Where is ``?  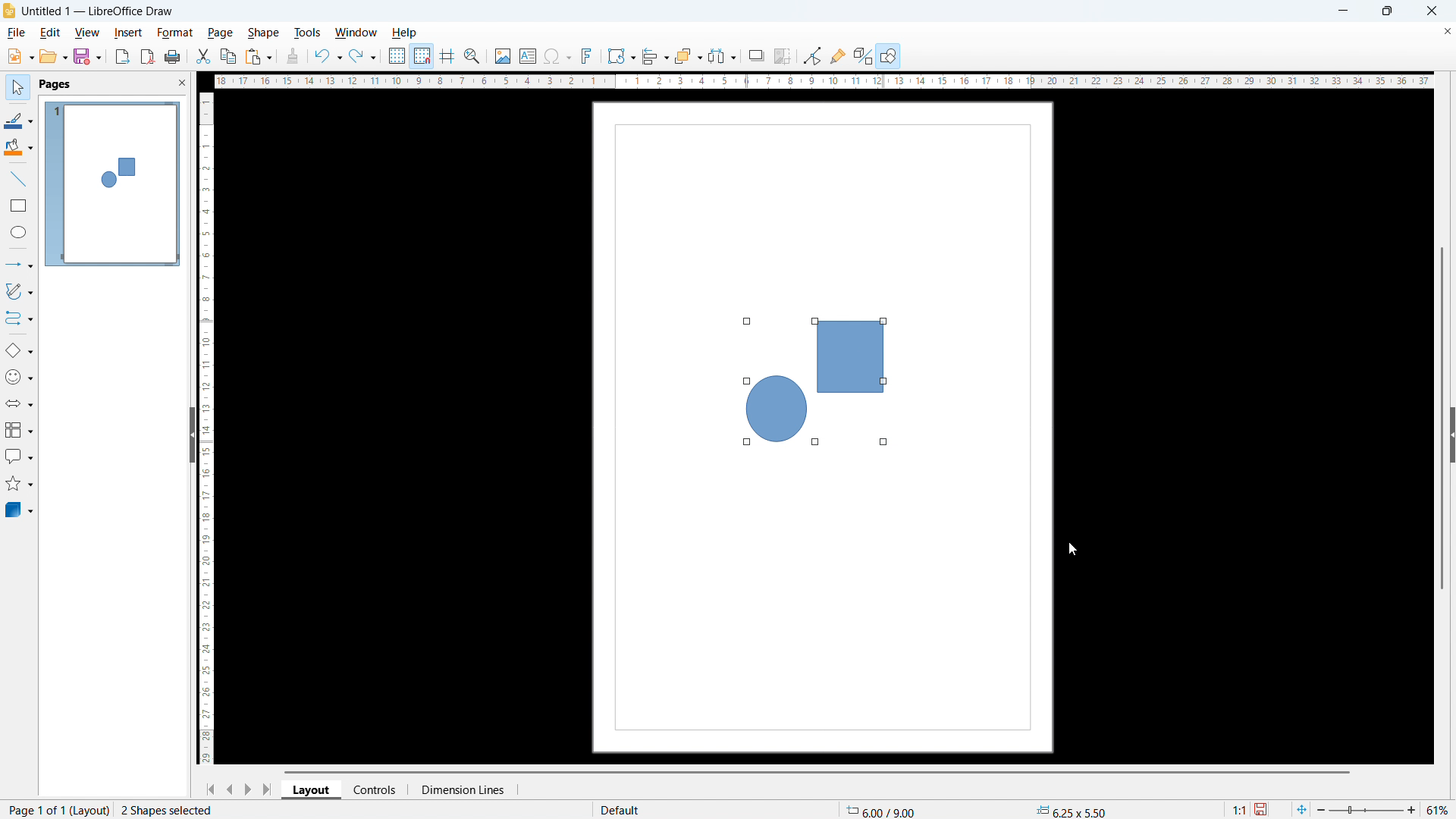  is located at coordinates (814, 57).